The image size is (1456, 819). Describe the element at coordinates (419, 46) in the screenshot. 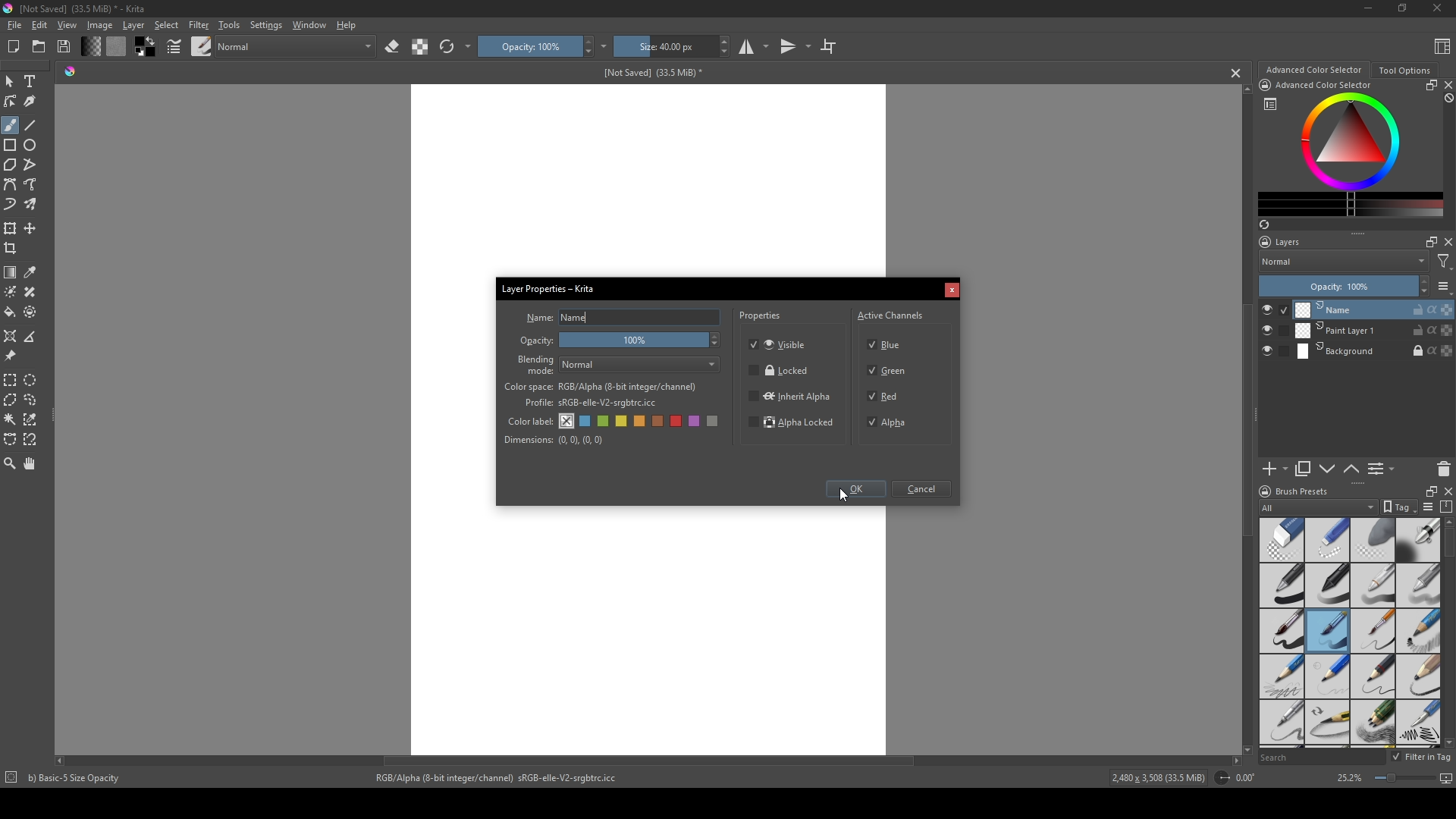

I see `contrast` at that location.